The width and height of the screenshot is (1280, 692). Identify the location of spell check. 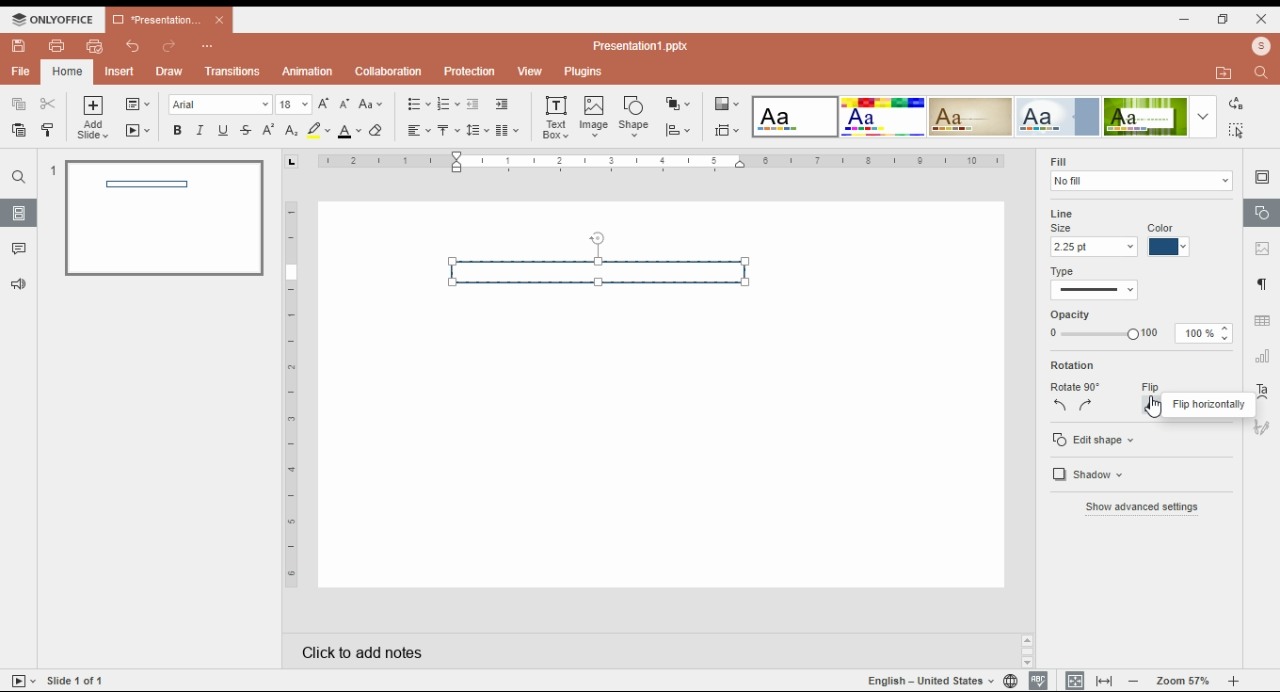
(1039, 681).